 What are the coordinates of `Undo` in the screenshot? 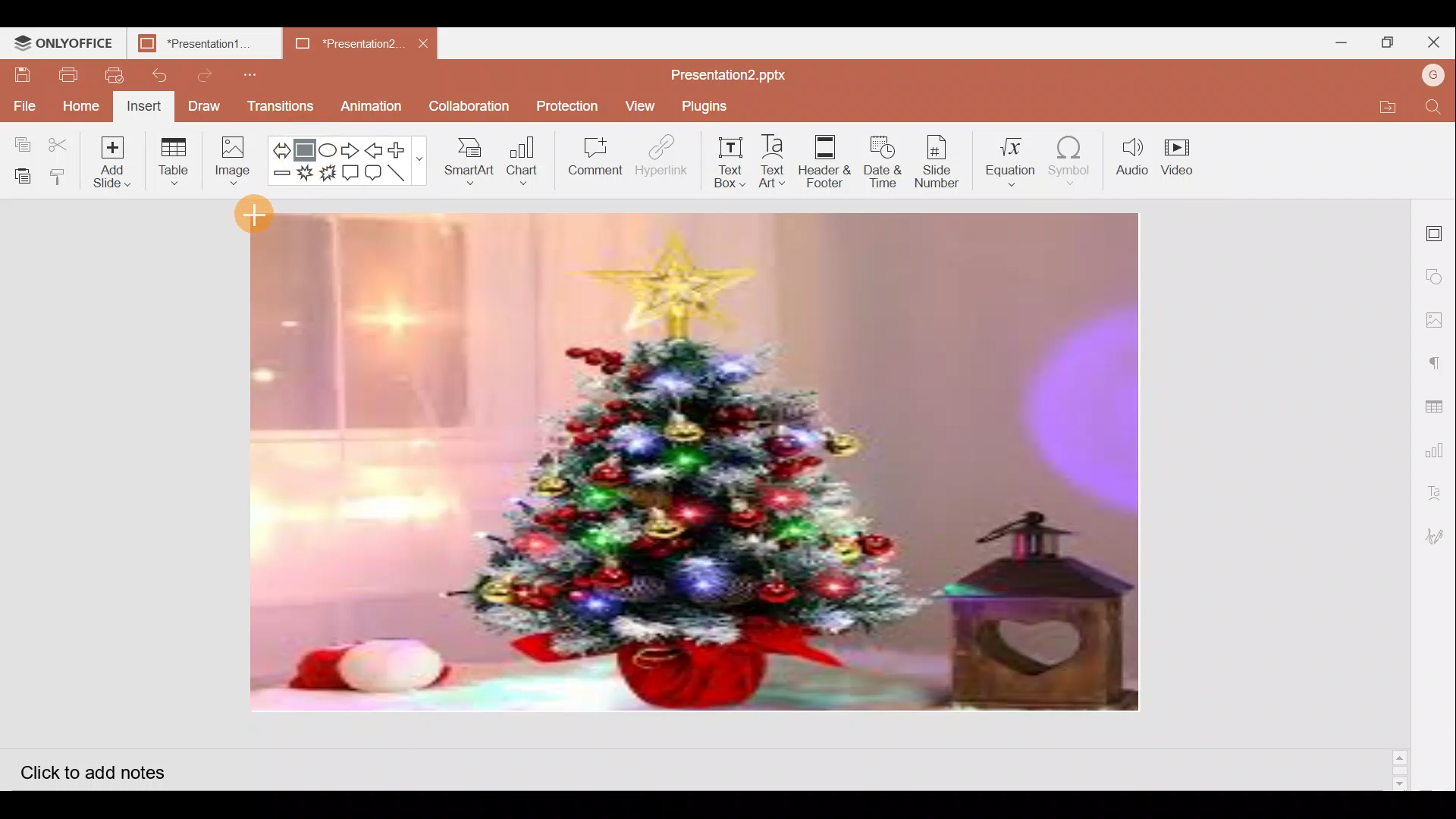 It's located at (160, 76).